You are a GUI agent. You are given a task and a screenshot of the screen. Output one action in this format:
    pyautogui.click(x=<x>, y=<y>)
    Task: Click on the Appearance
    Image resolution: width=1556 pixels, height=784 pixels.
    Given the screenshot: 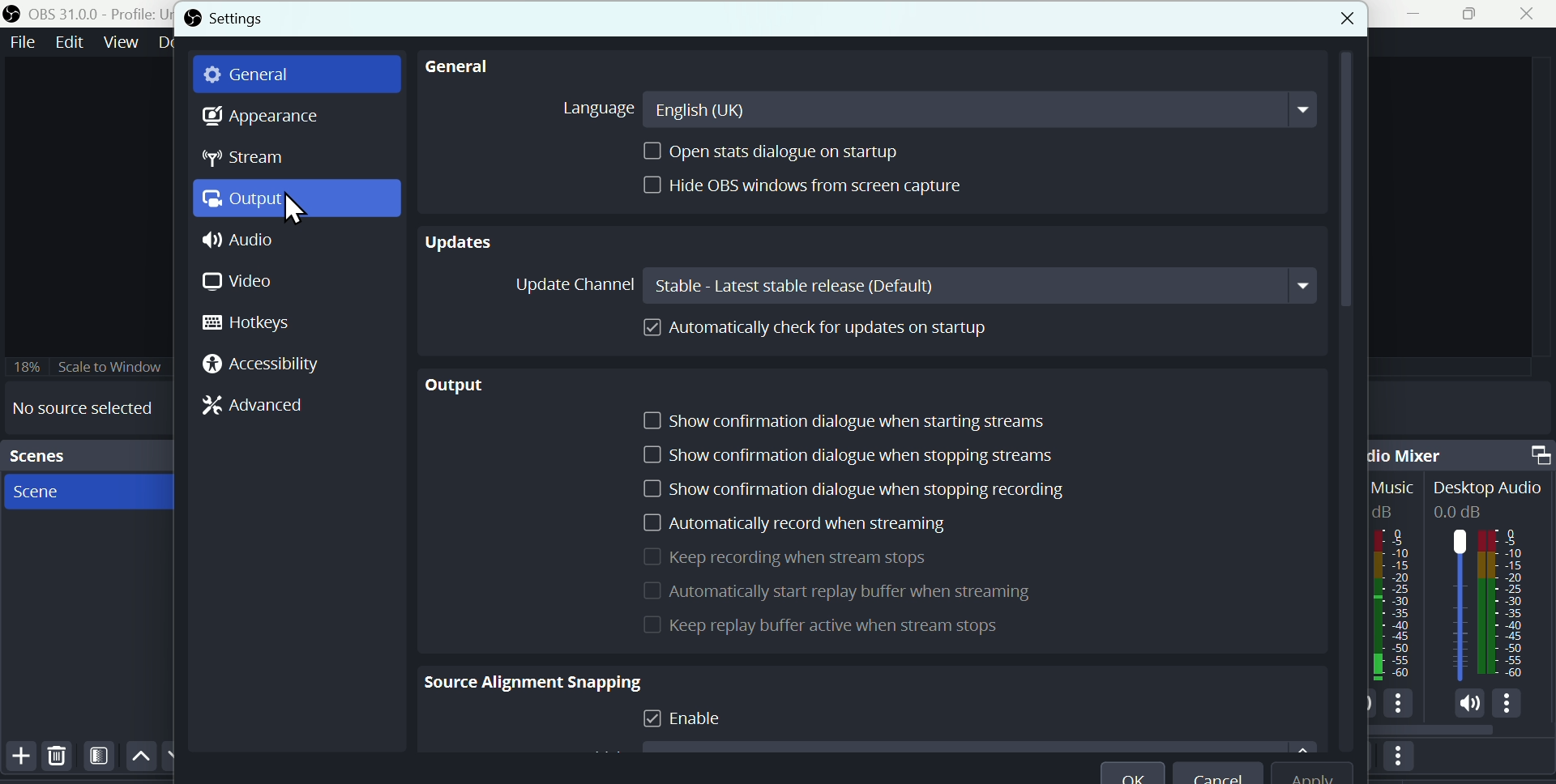 What is the action you would take?
    pyautogui.click(x=256, y=117)
    